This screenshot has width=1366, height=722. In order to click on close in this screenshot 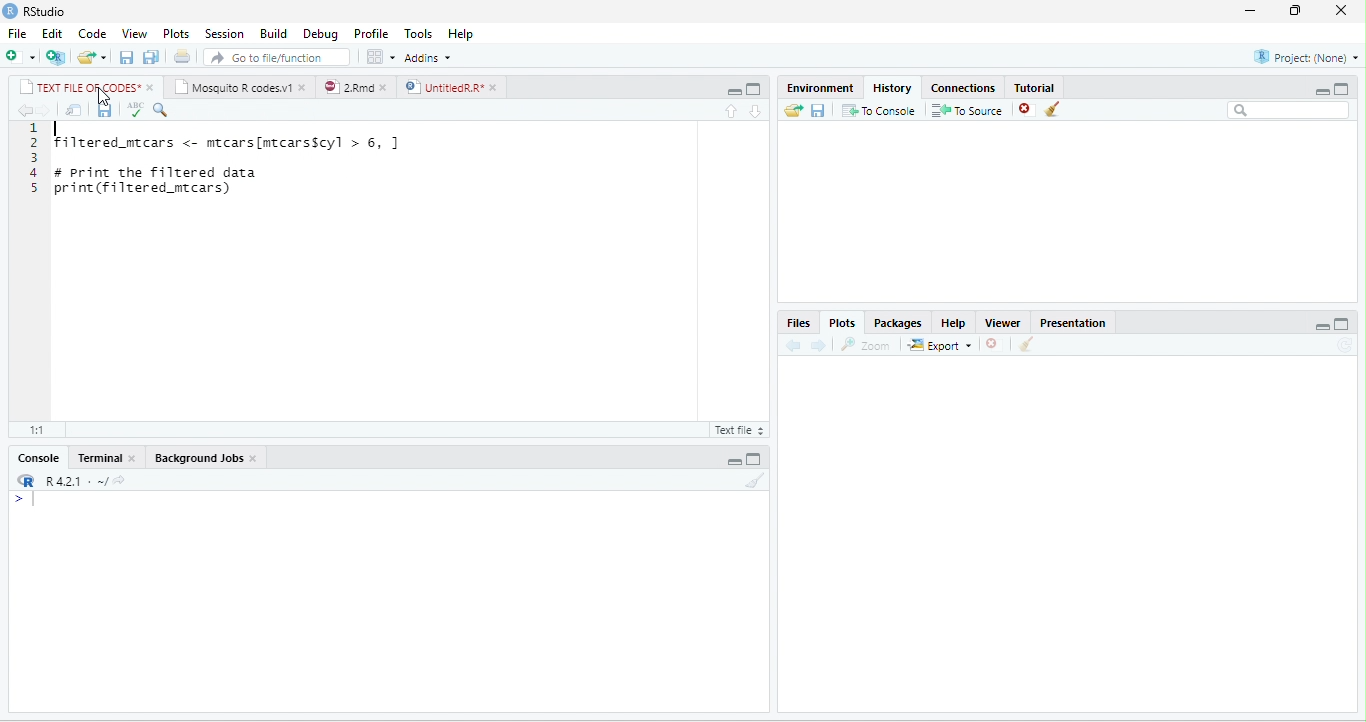, I will do `click(304, 89)`.